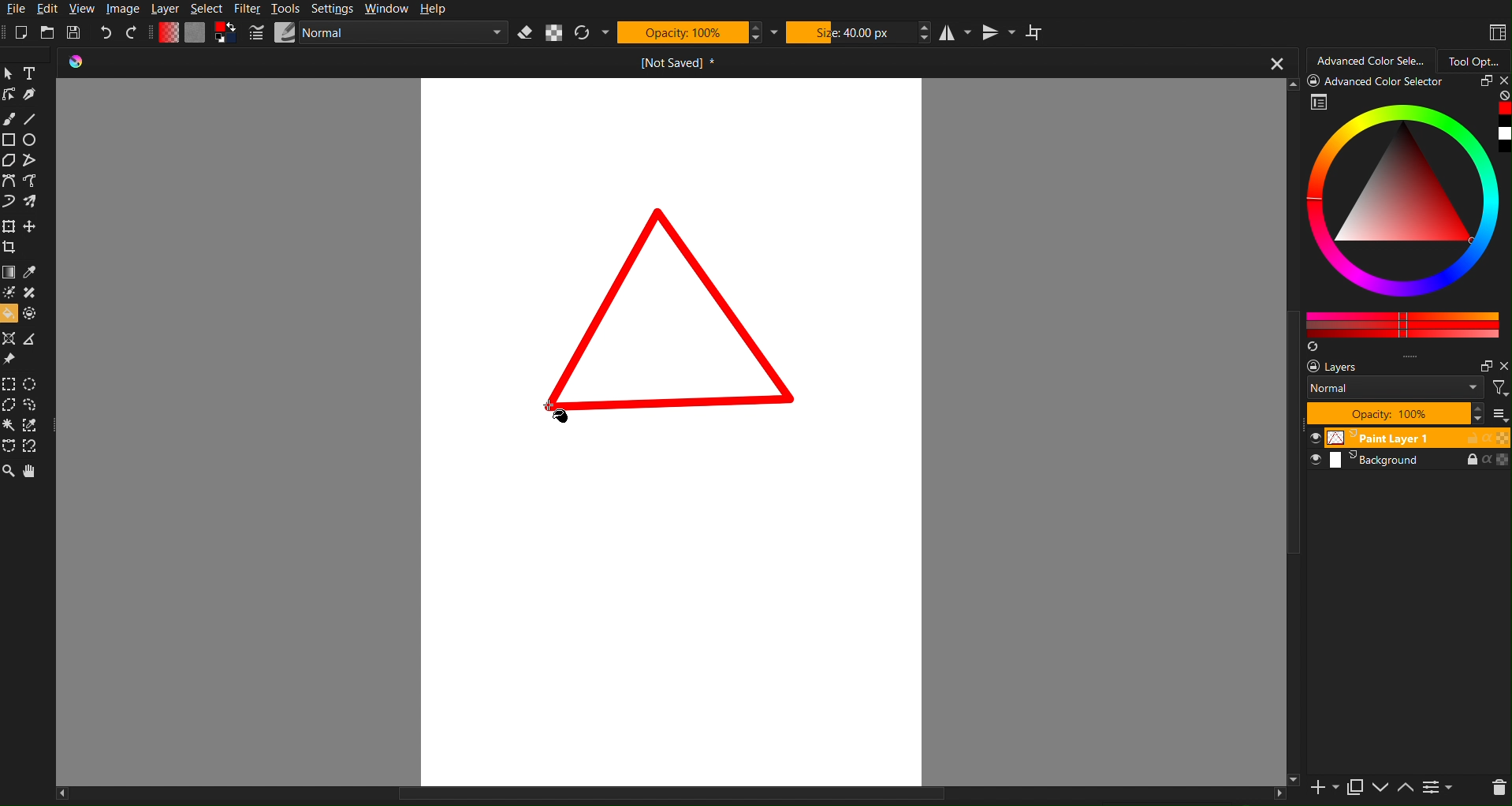  Describe the element at coordinates (666, 319) in the screenshot. I see `triangle` at that location.